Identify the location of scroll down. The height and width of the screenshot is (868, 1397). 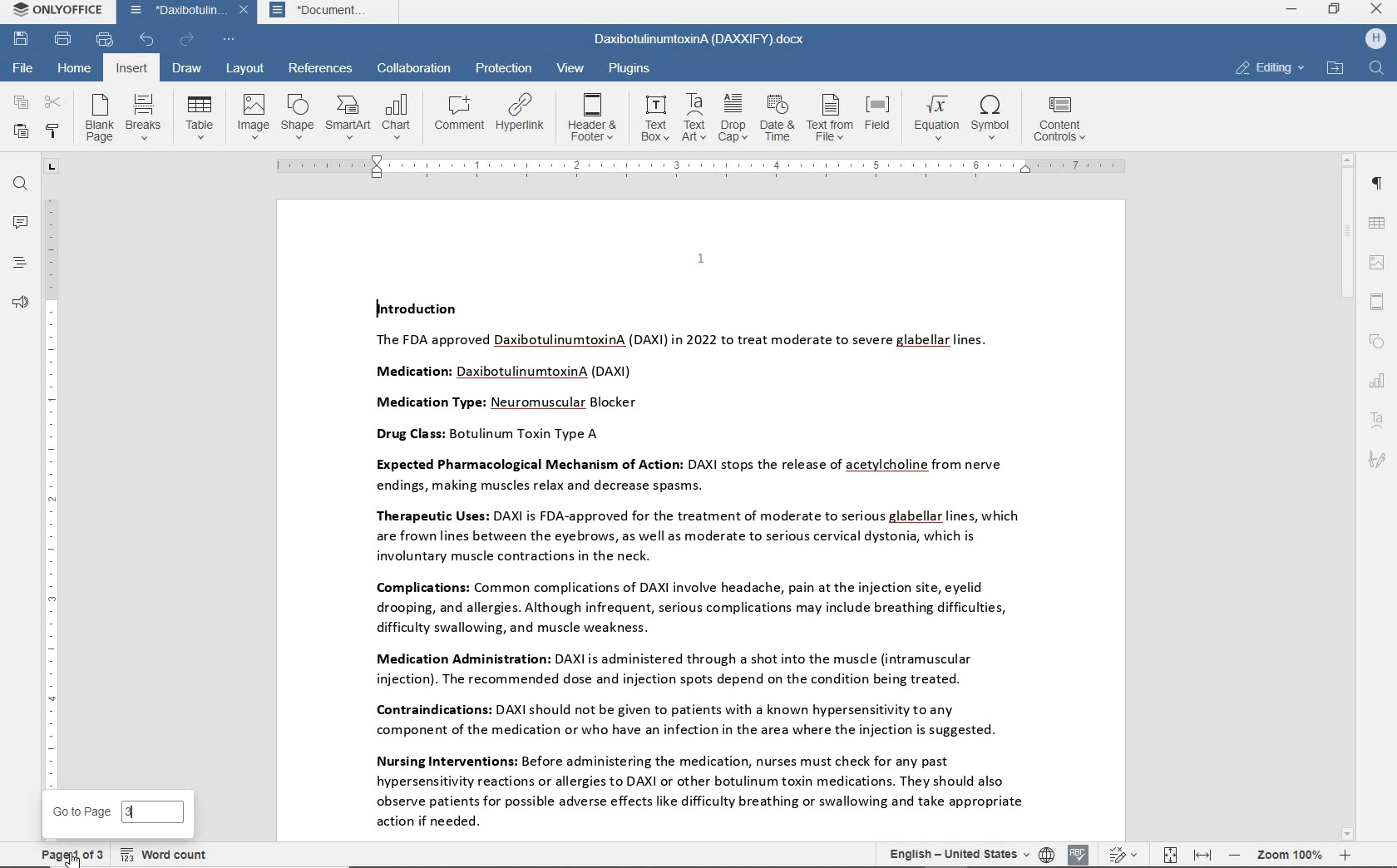
(1348, 835).